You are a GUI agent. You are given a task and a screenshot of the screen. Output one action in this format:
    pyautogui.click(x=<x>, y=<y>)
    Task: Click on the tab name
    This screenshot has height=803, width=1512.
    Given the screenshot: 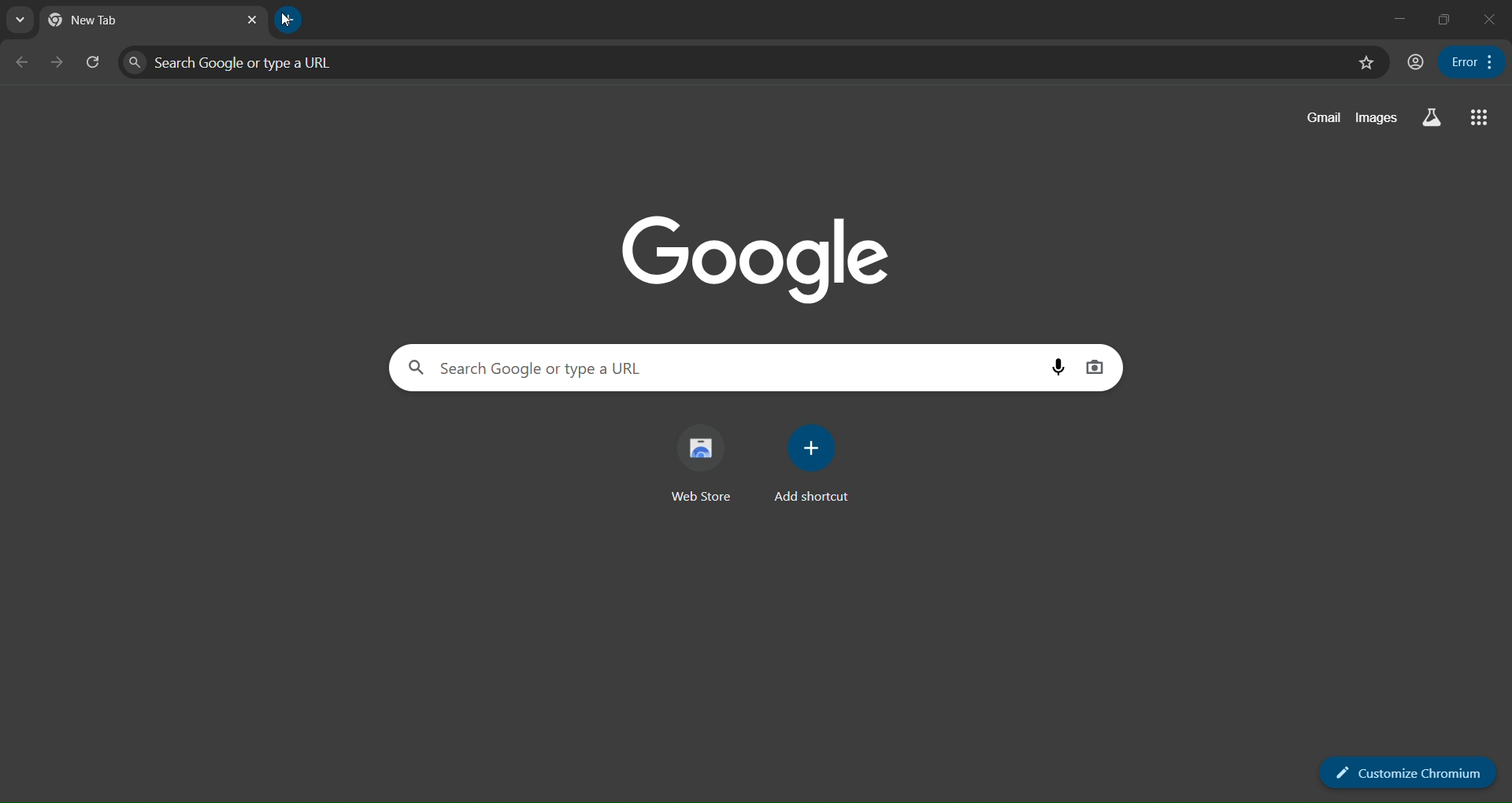 What is the action you would take?
    pyautogui.click(x=131, y=22)
    